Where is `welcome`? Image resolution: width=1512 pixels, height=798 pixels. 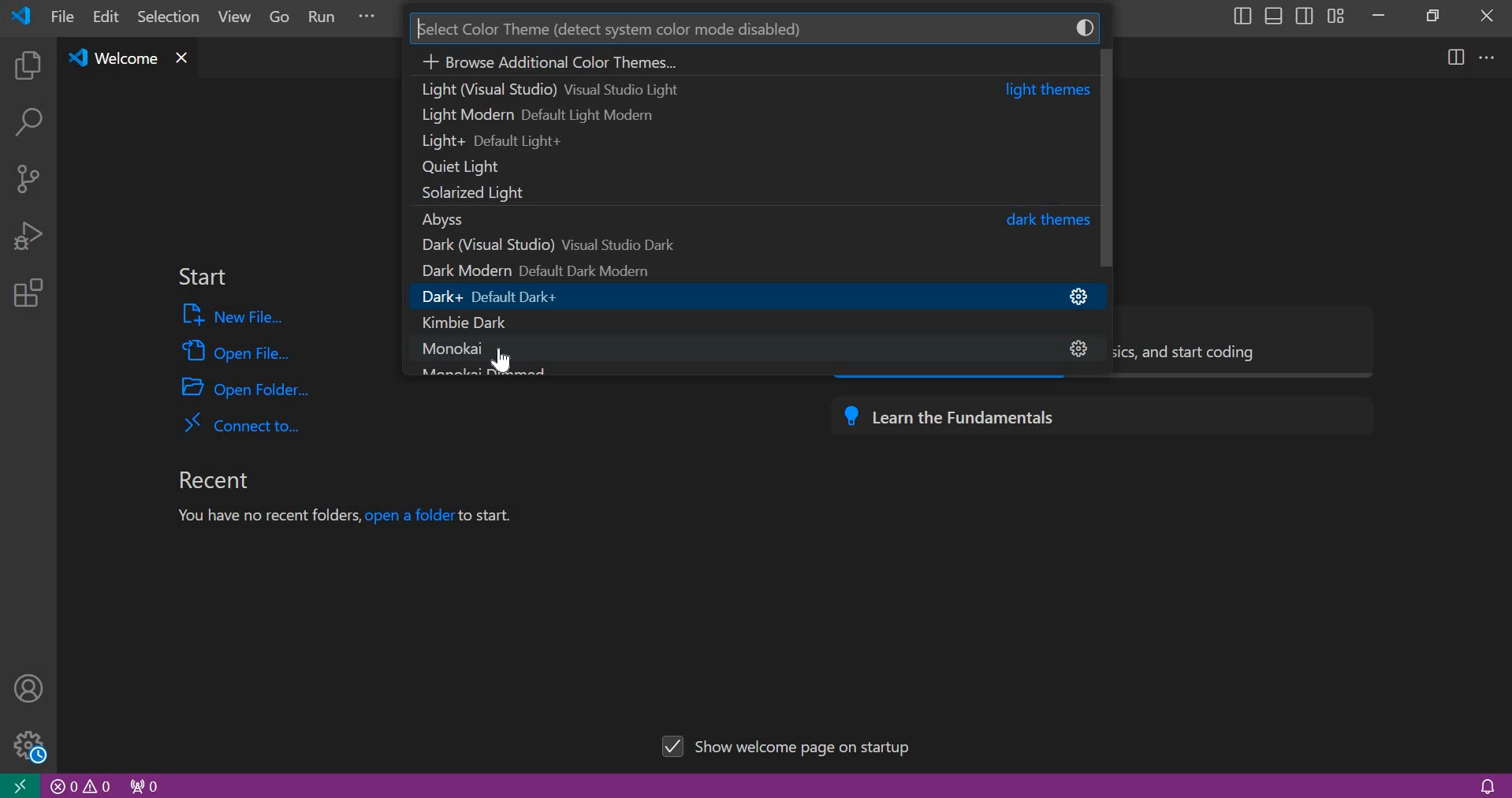 welcome is located at coordinates (115, 59).